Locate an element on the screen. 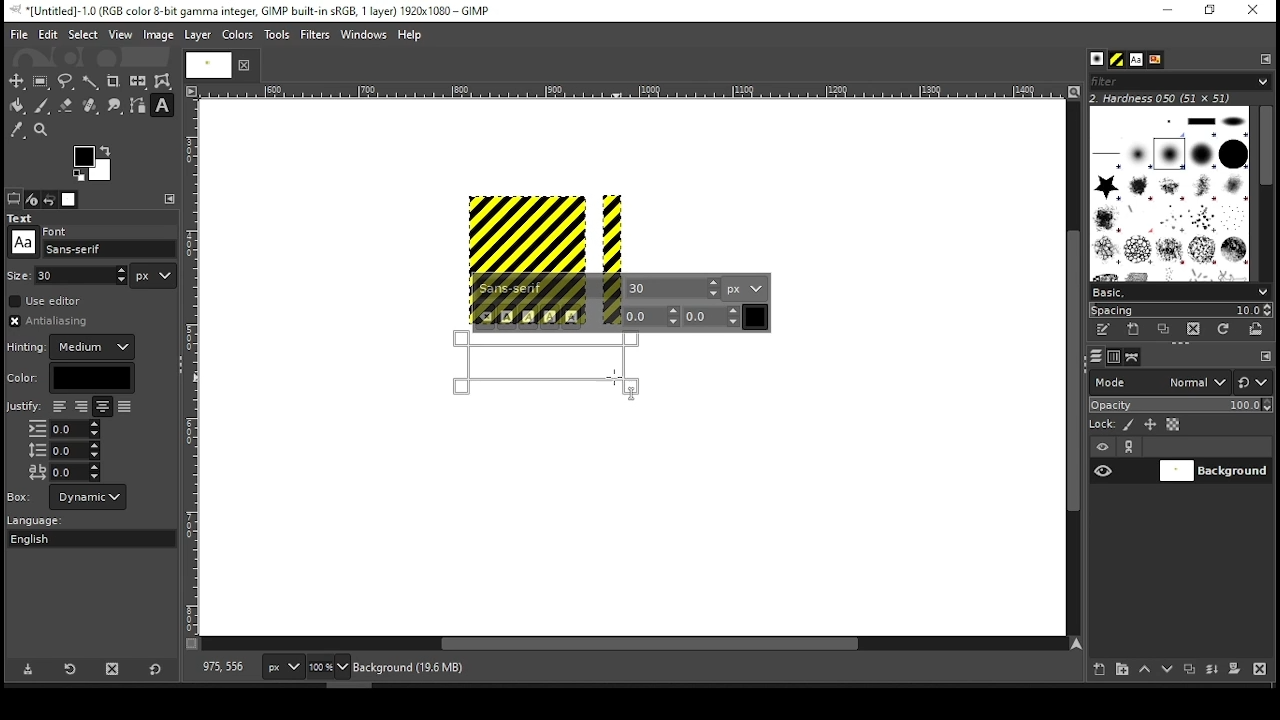 The image size is (1280, 720). box  is located at coordinates (88, 497).